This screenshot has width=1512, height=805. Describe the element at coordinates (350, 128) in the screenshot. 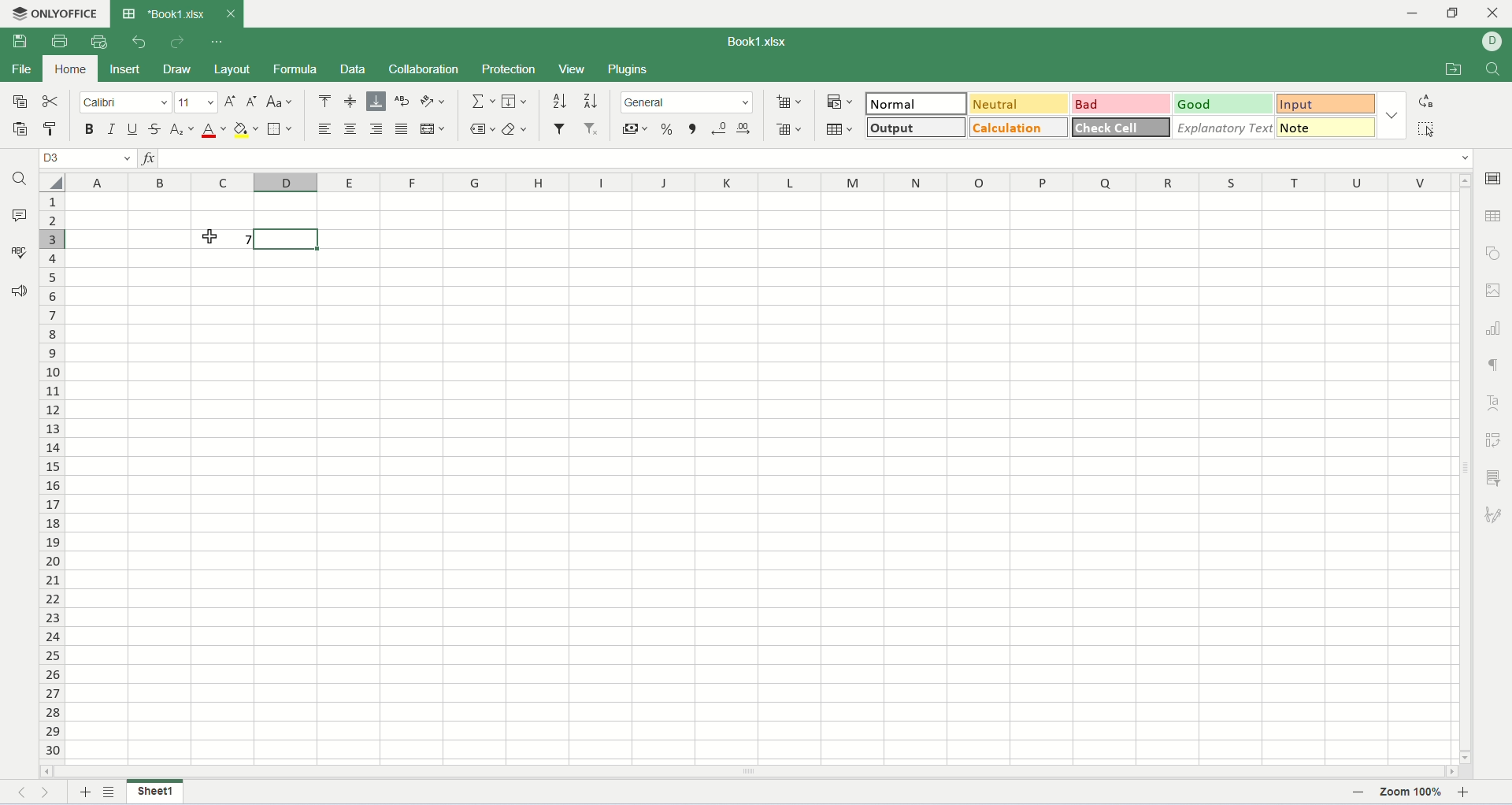

I see `align center` at that location.